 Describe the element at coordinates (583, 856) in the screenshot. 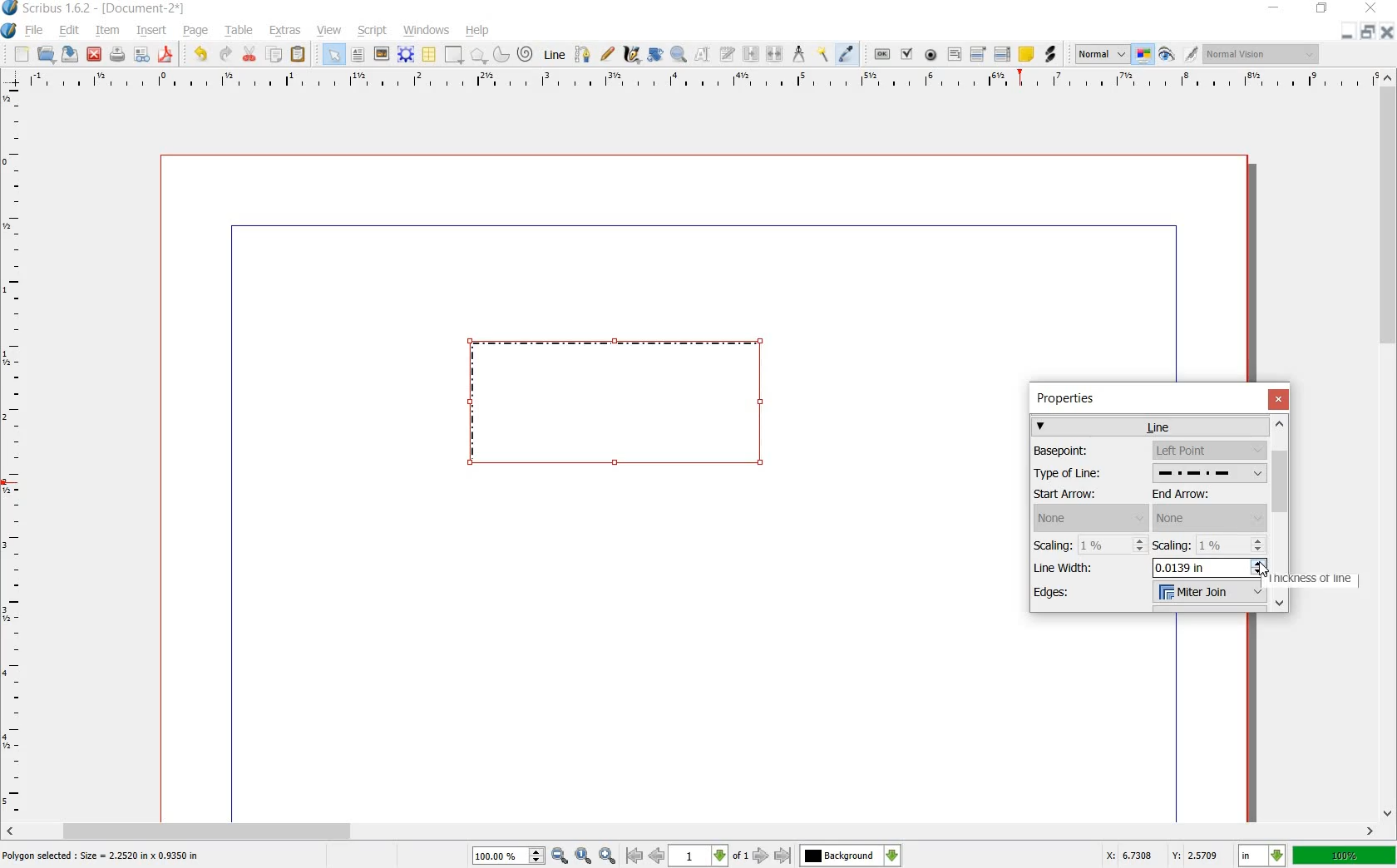

I see `zoom to` at that location.